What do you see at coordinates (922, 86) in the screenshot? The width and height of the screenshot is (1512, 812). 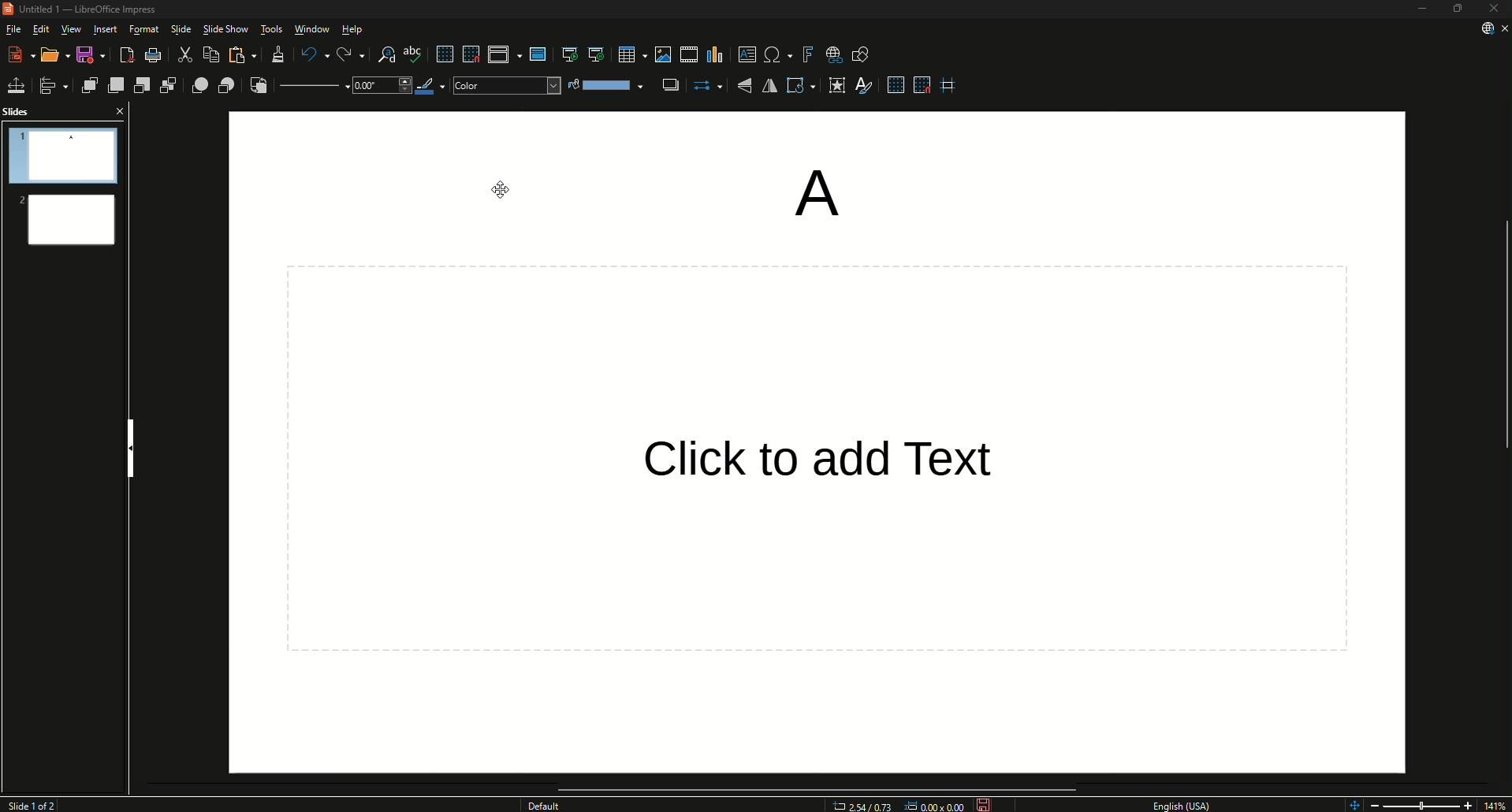 I see `Snap to Grid` at bounding box center [922, 86].